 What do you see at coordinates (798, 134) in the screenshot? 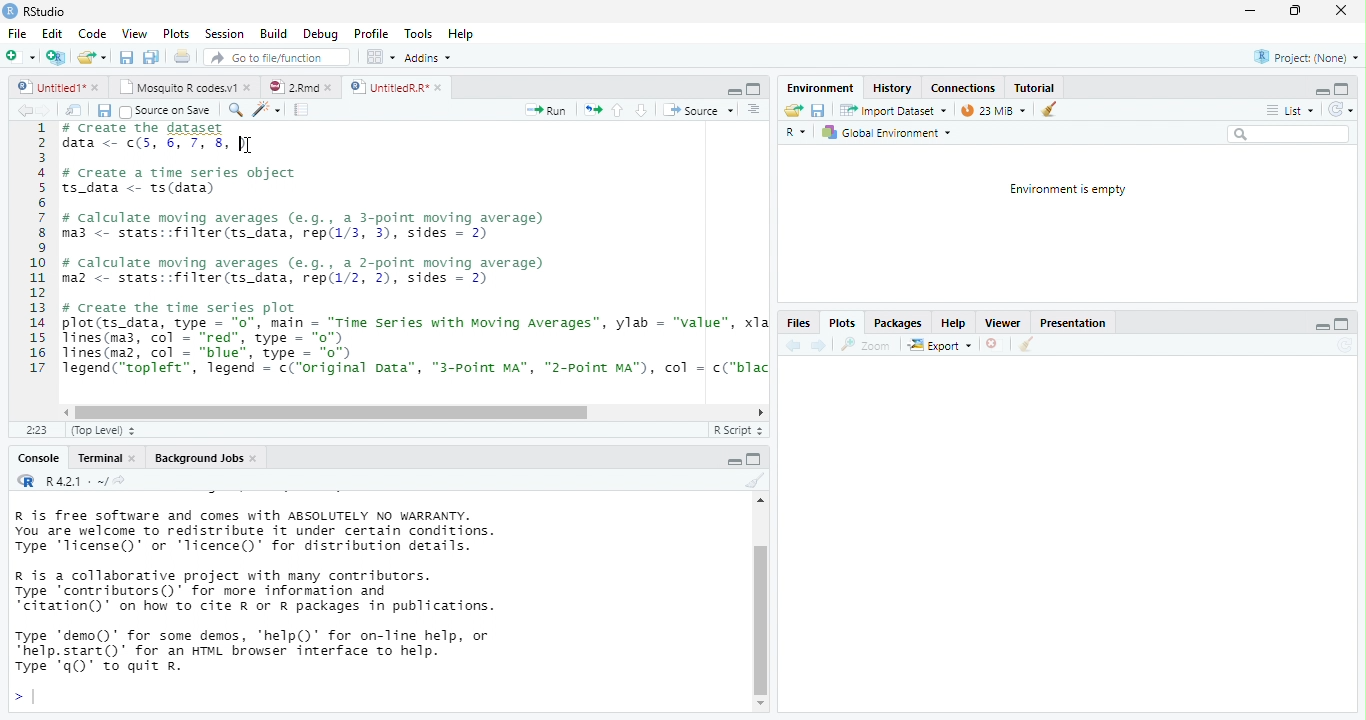
I see `R` at bounding box center [798, 134].